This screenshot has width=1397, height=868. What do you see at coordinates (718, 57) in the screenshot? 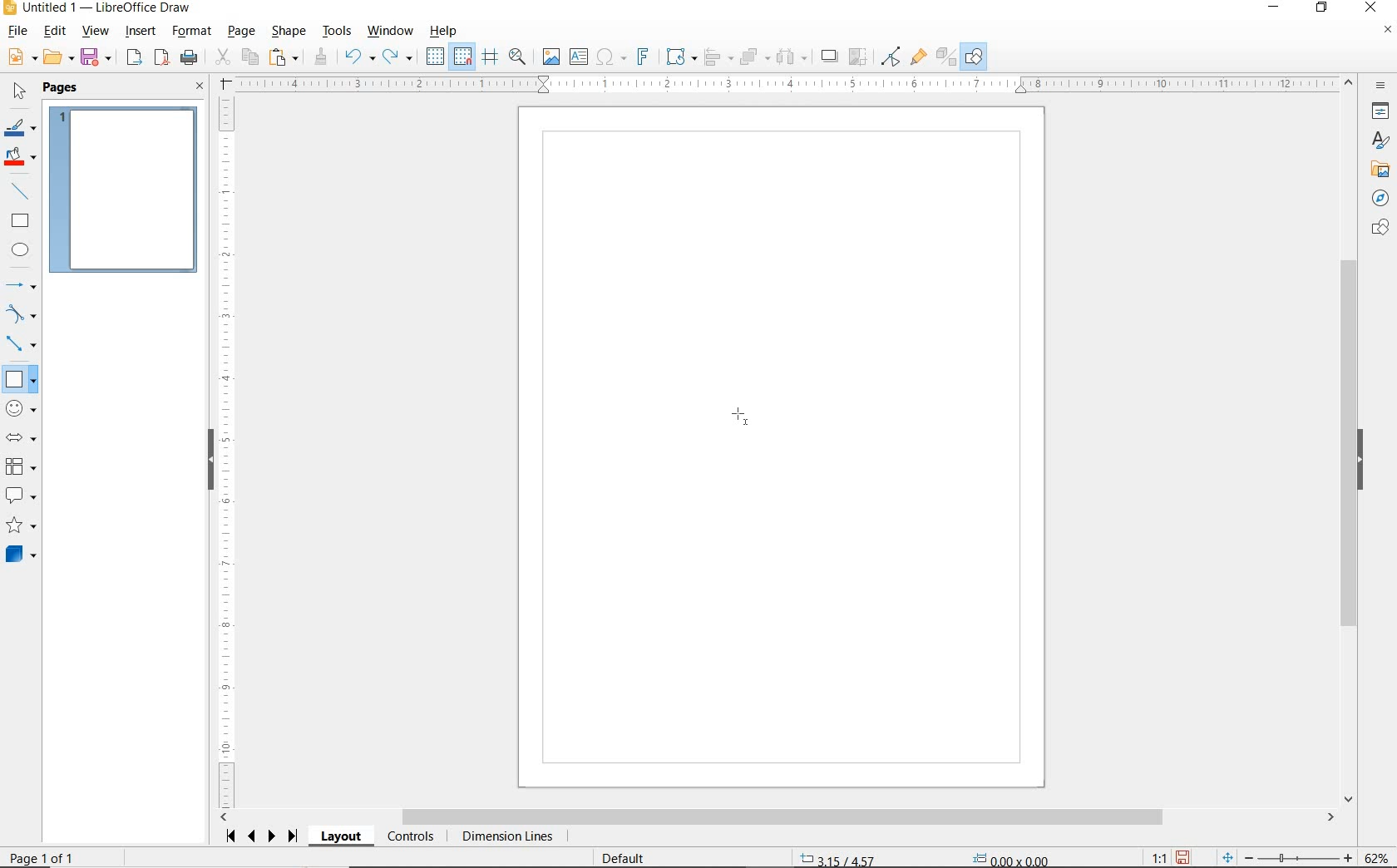
I see `ALIGN OBJECTS` at bounding box center [718, 57].